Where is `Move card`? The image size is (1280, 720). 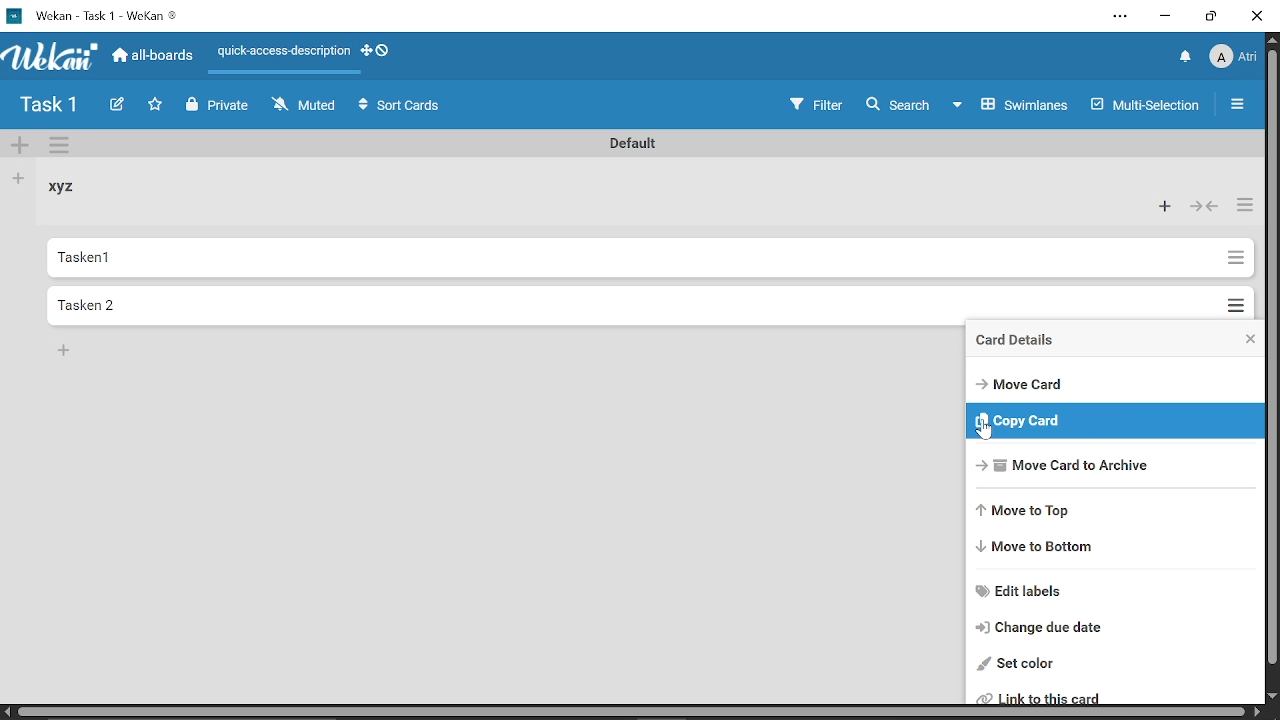 Move card is located at coordinates (1117, 384).